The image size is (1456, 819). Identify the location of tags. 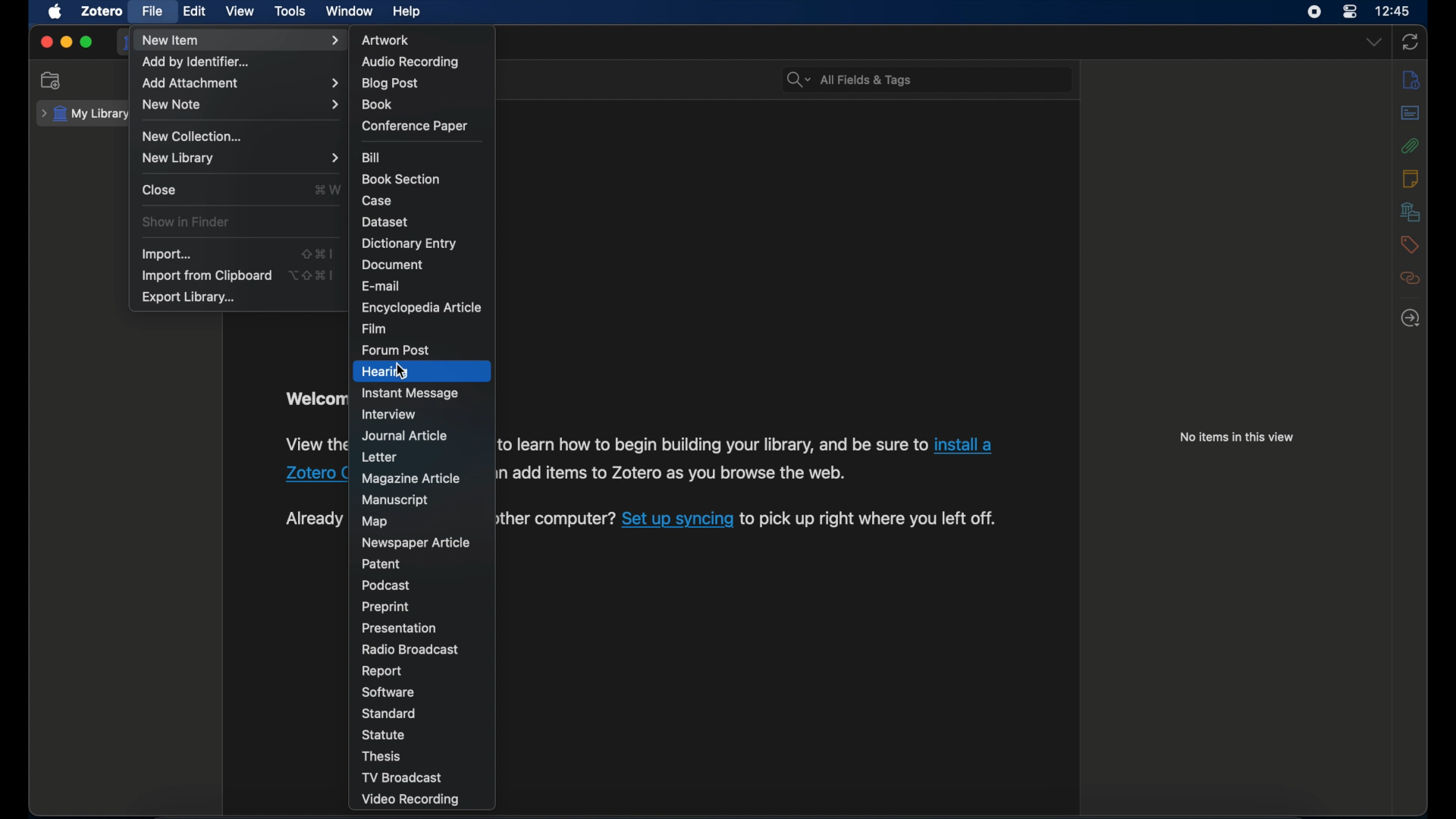
(1410, 245).